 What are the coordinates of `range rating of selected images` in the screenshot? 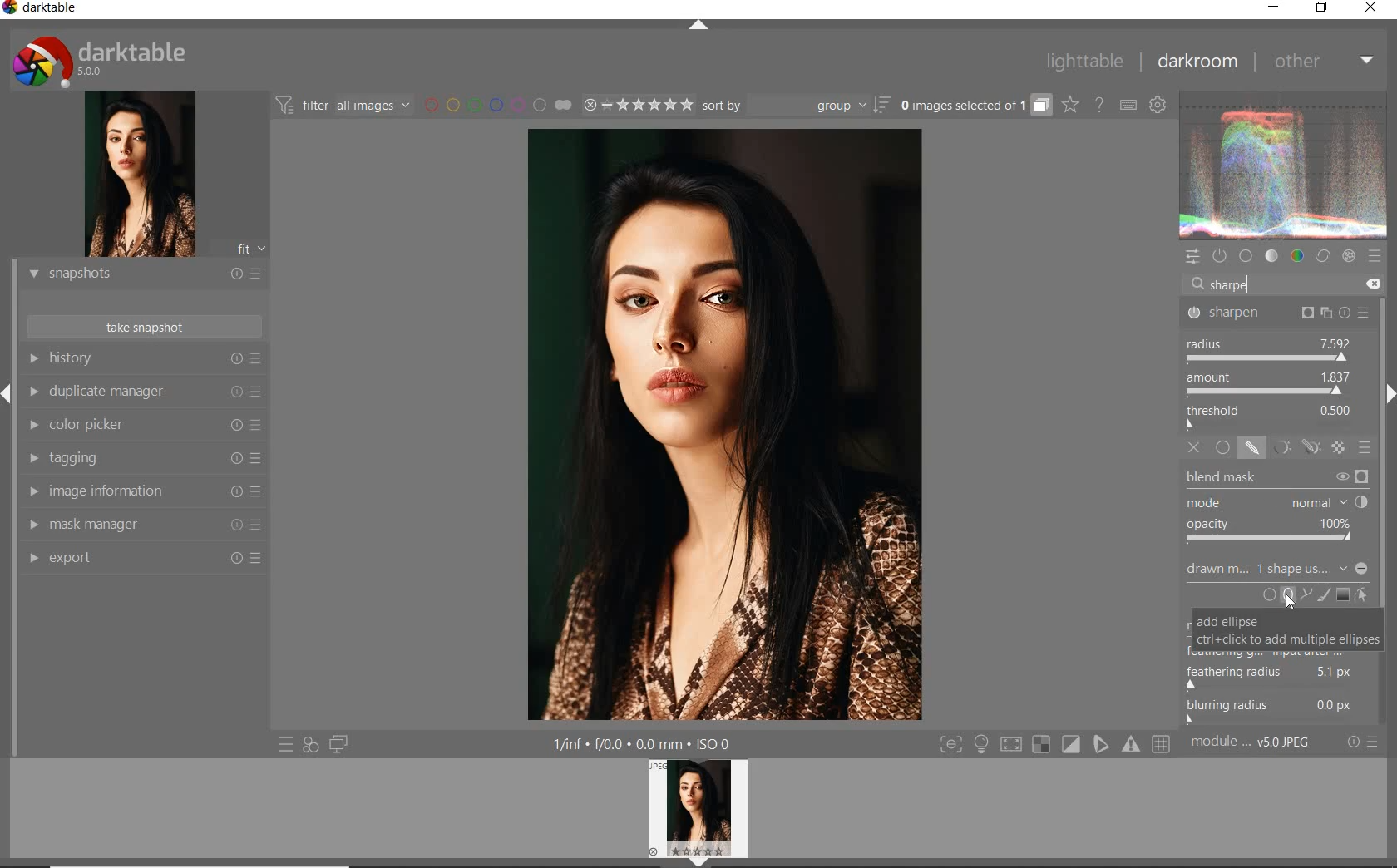 It's located at (635, 106).